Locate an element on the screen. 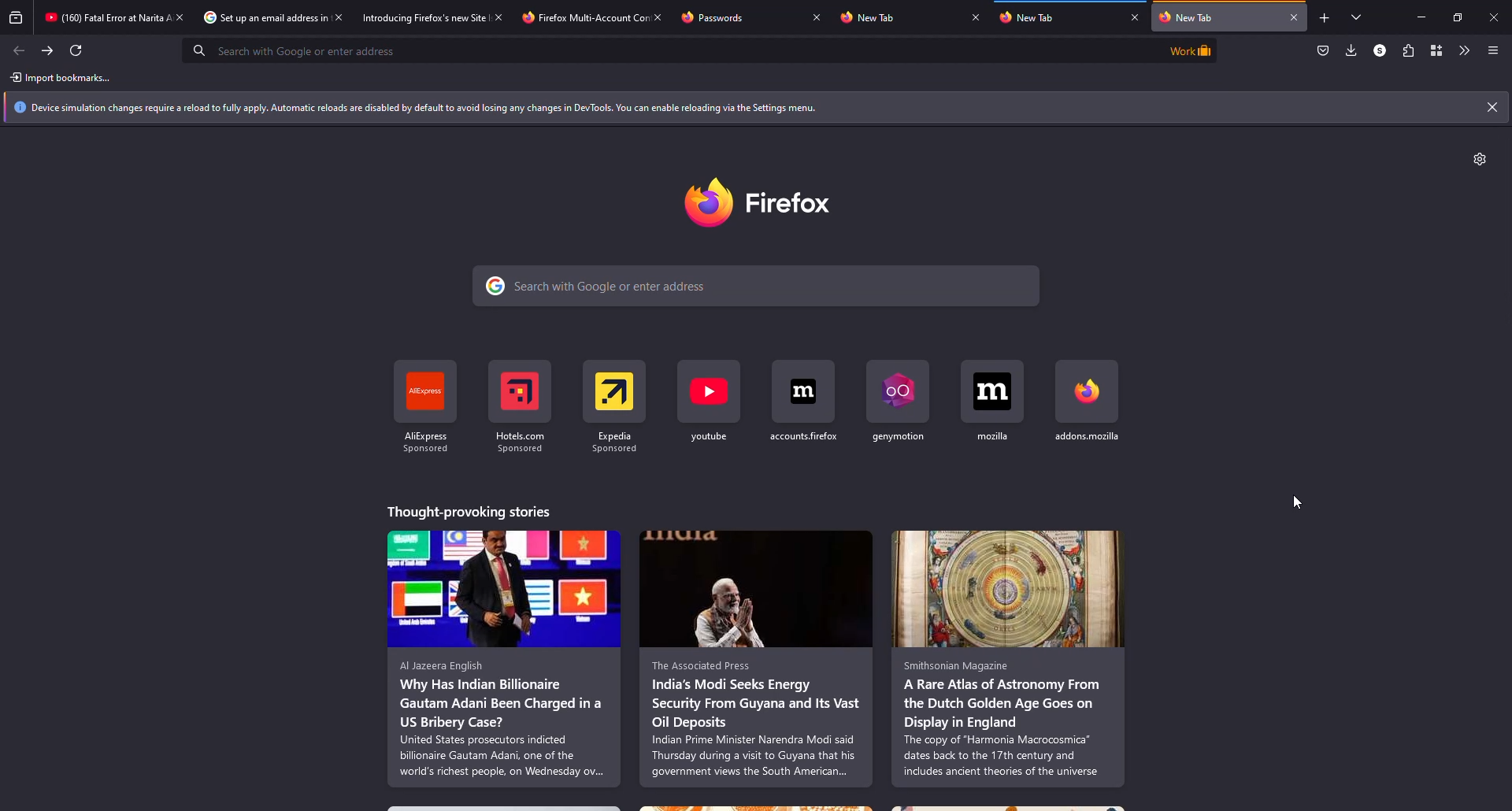 This screenshot has height=811, width=1512. Hotels.com shortcut is located at coordinates (521, 406).